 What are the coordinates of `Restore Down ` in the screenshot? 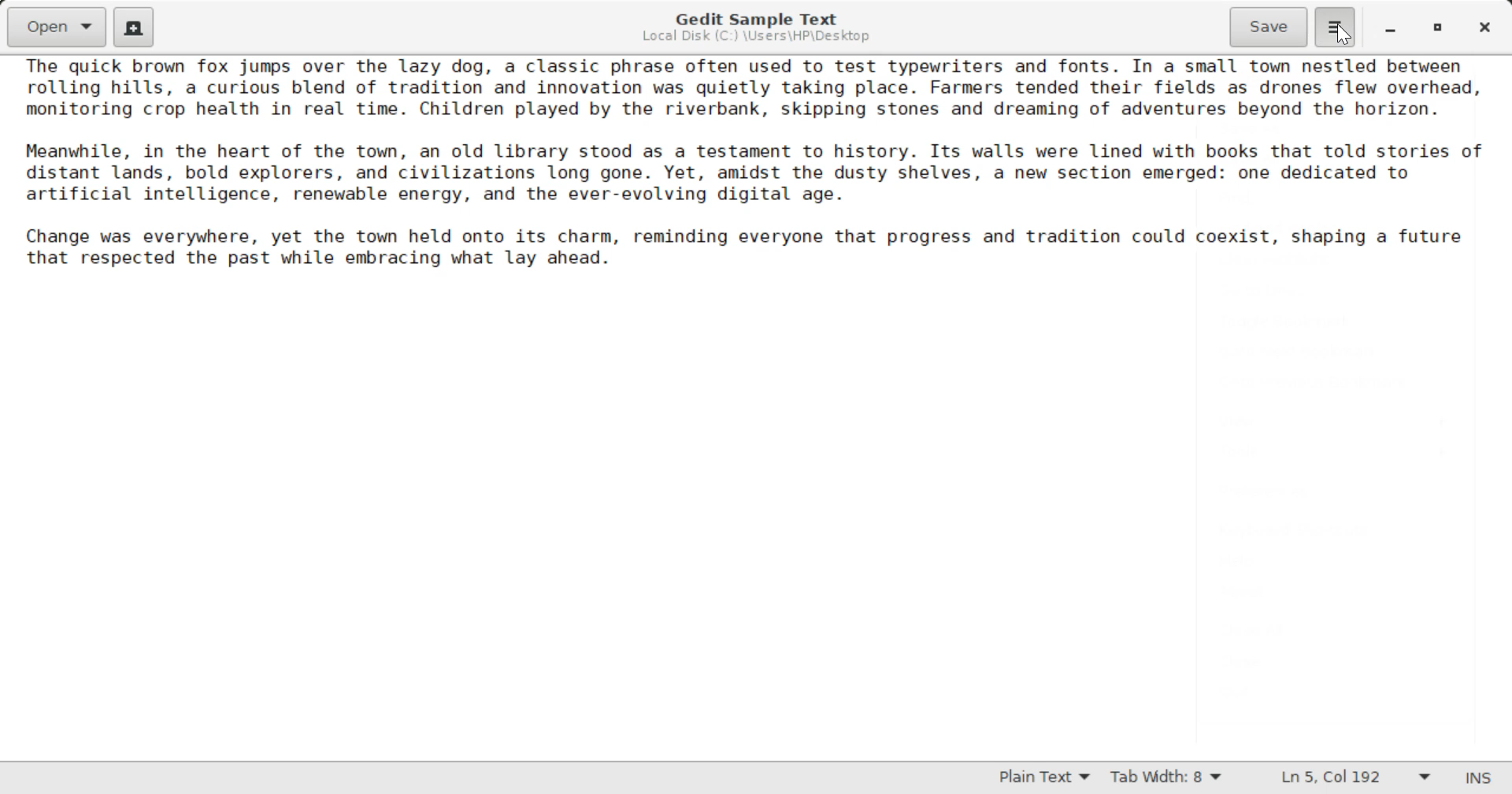 It's located at (1391, 28).